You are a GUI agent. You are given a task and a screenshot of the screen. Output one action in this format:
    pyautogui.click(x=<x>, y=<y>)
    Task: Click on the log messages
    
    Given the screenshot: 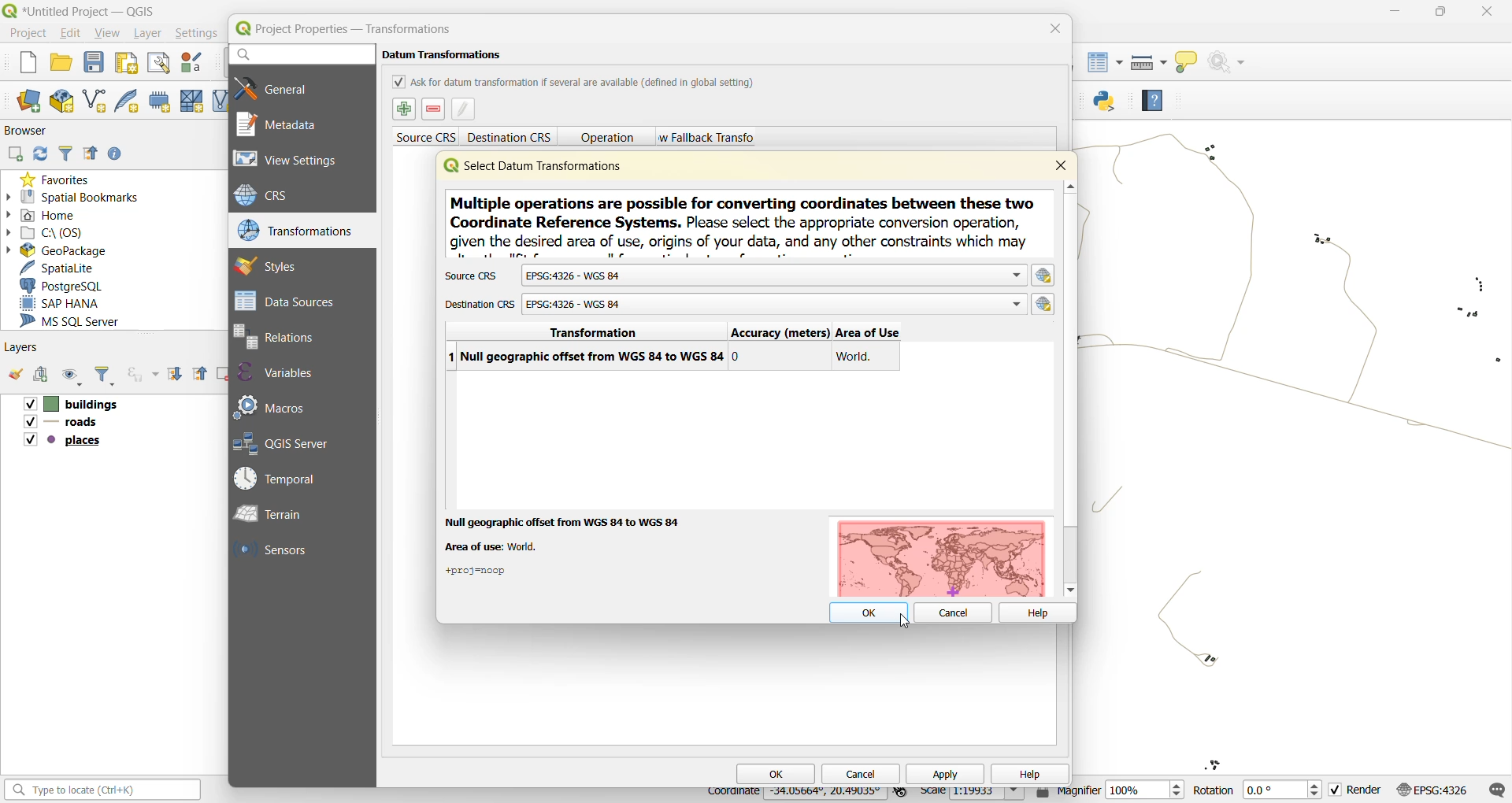 What is the action you would take?
    pyautogui.click(x=1495, y=789)
    